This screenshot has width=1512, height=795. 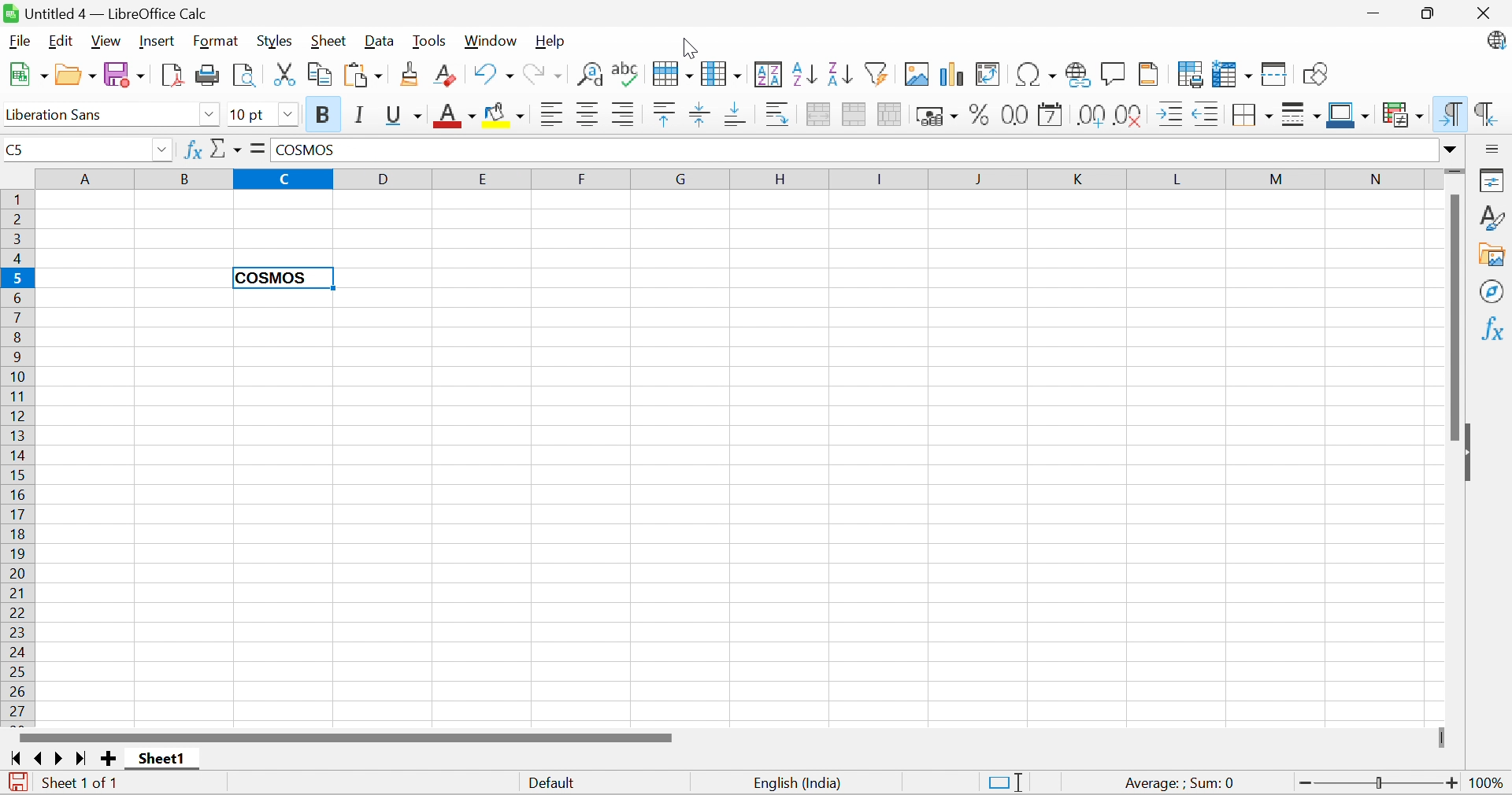 I want to click on Find and Replace, so click(x=589, y=75).